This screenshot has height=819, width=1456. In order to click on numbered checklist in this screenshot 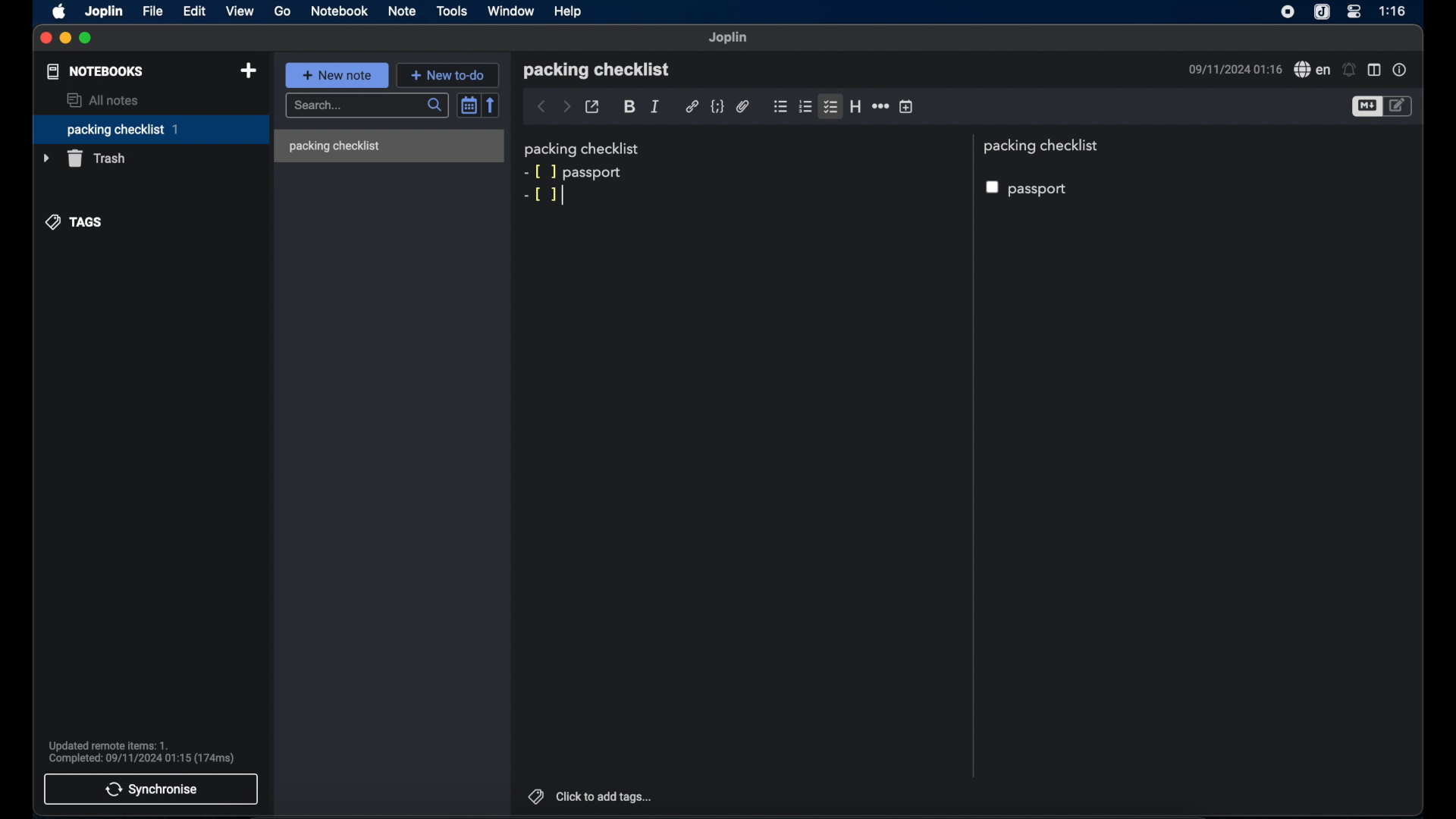, I will do `click(806, 108)`.